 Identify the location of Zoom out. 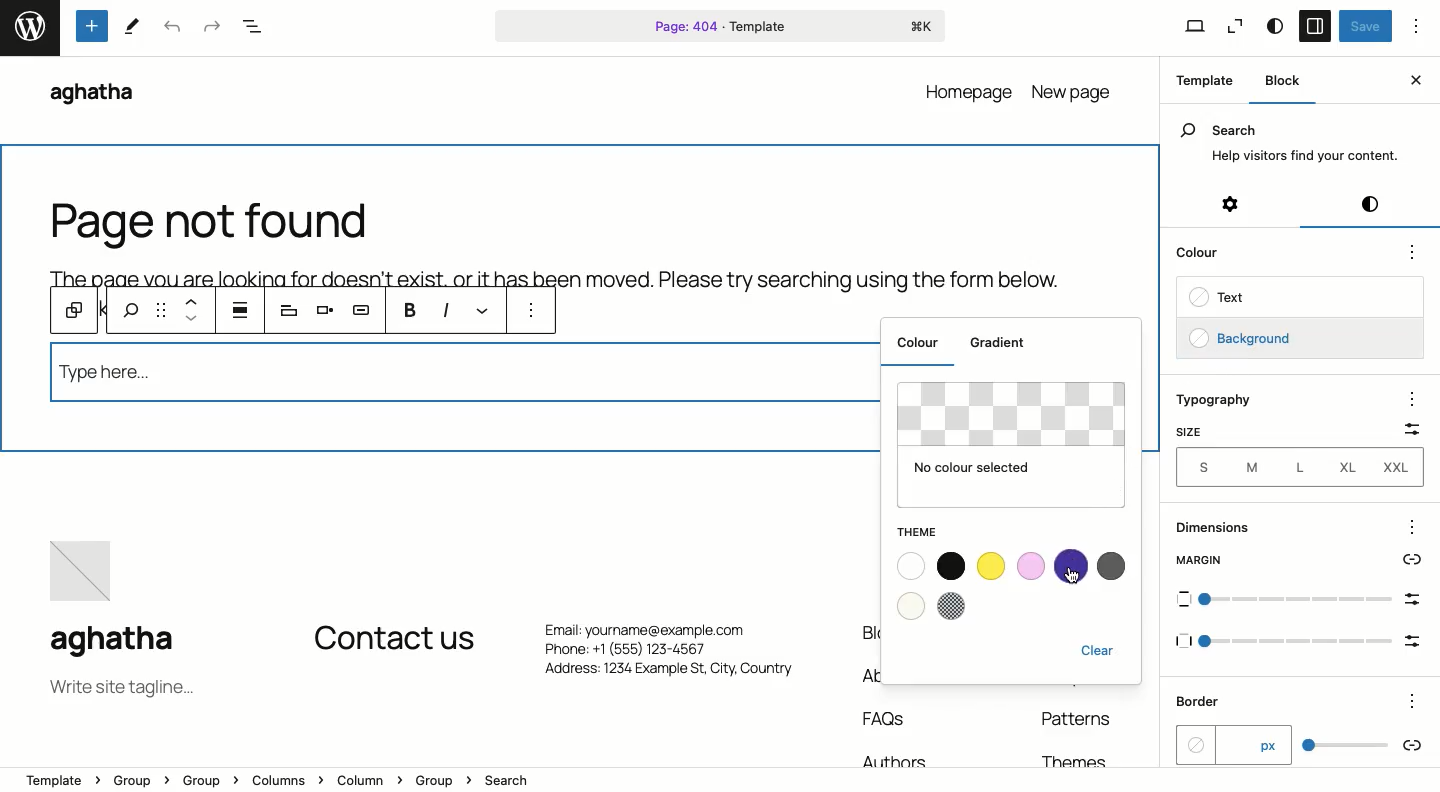
(1237, 25).